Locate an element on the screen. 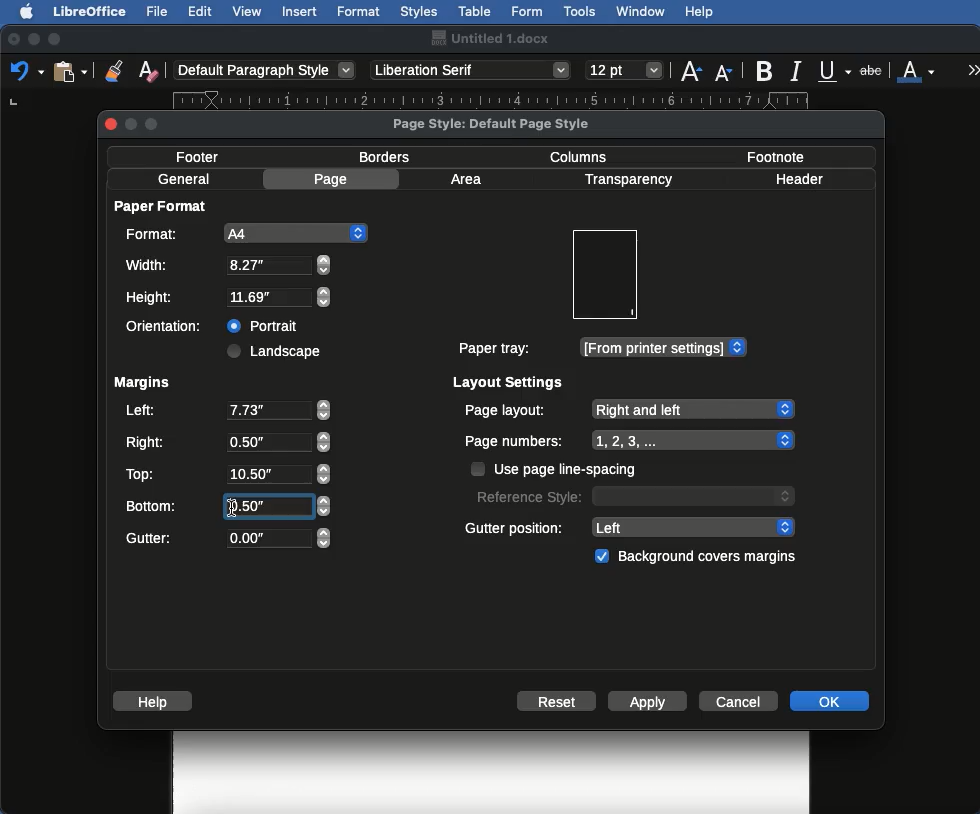 The width and height of the screenshot is (980, 814). Styles is located at coordinates (418, 11).